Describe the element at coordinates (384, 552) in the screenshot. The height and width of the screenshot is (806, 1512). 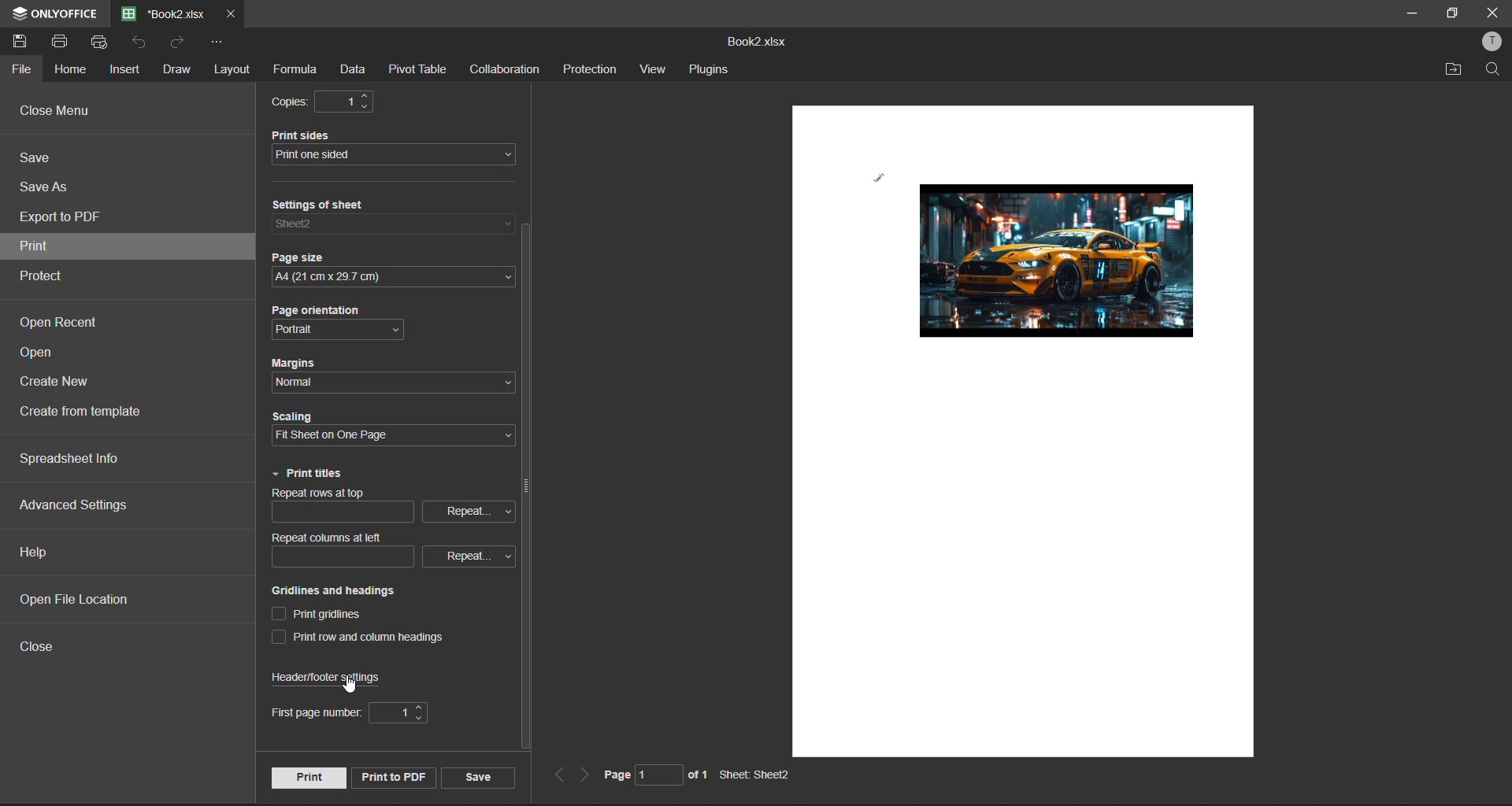
I see `repeat columns at left` at that location.